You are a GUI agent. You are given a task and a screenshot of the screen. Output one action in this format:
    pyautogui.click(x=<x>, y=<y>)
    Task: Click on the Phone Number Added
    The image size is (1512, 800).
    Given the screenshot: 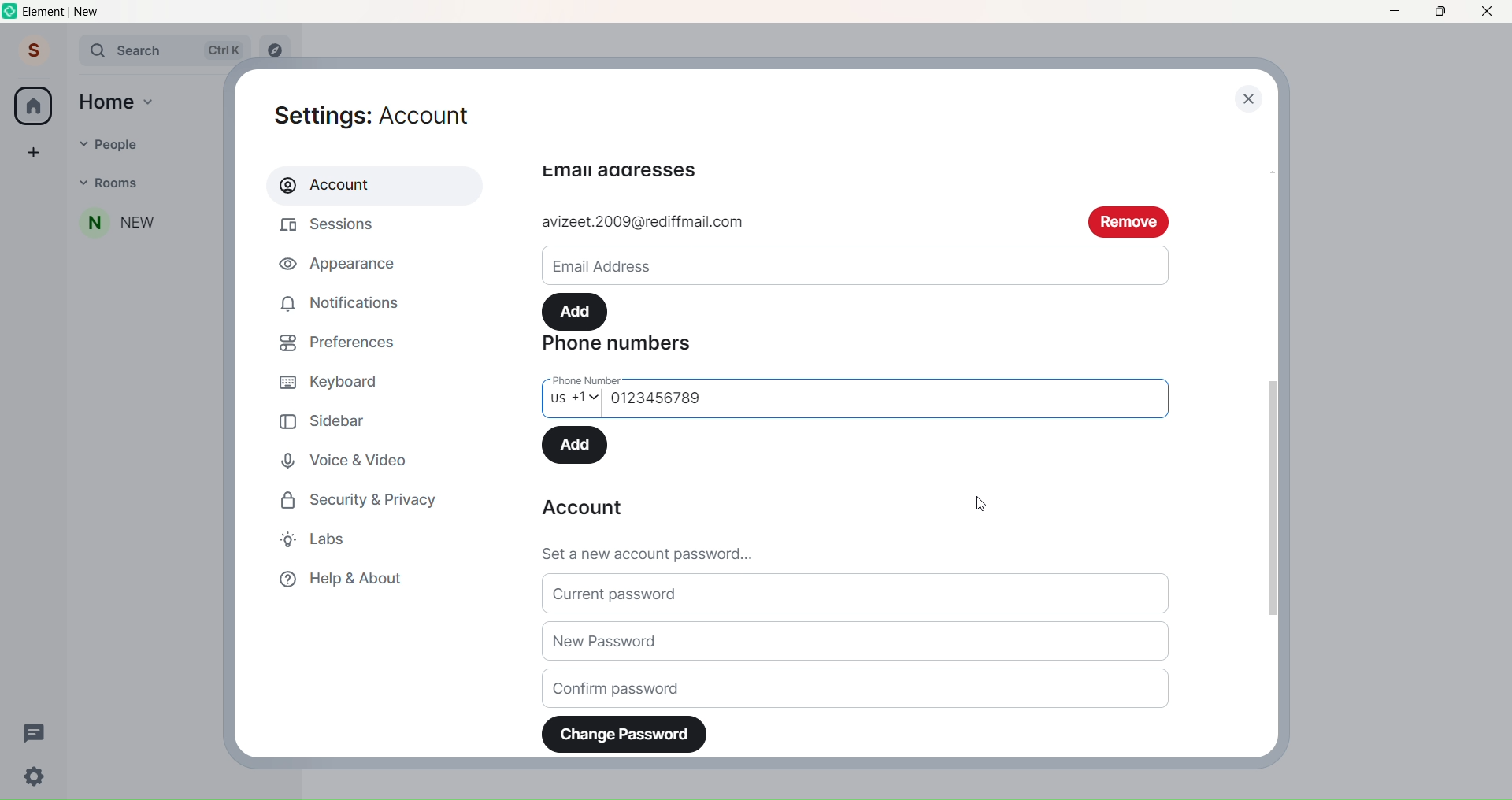 What is the action you would take?
    pyautogui.click(x=665, y=397)
    